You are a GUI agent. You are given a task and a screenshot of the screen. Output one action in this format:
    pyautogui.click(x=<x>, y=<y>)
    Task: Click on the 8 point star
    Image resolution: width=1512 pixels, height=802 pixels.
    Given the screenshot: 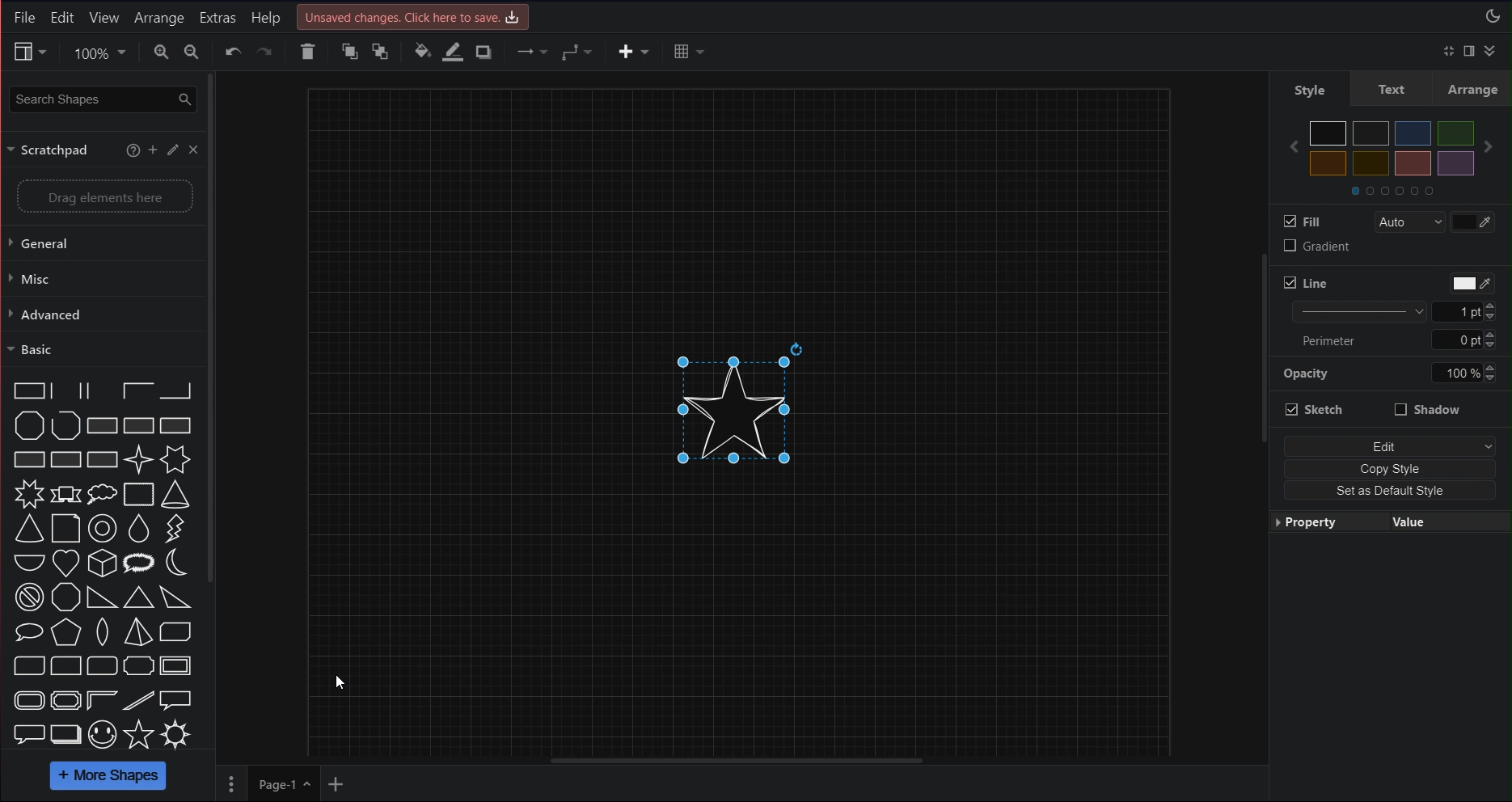 What is the action you would take?
    pyautogui.click(x=28, y=494)
    